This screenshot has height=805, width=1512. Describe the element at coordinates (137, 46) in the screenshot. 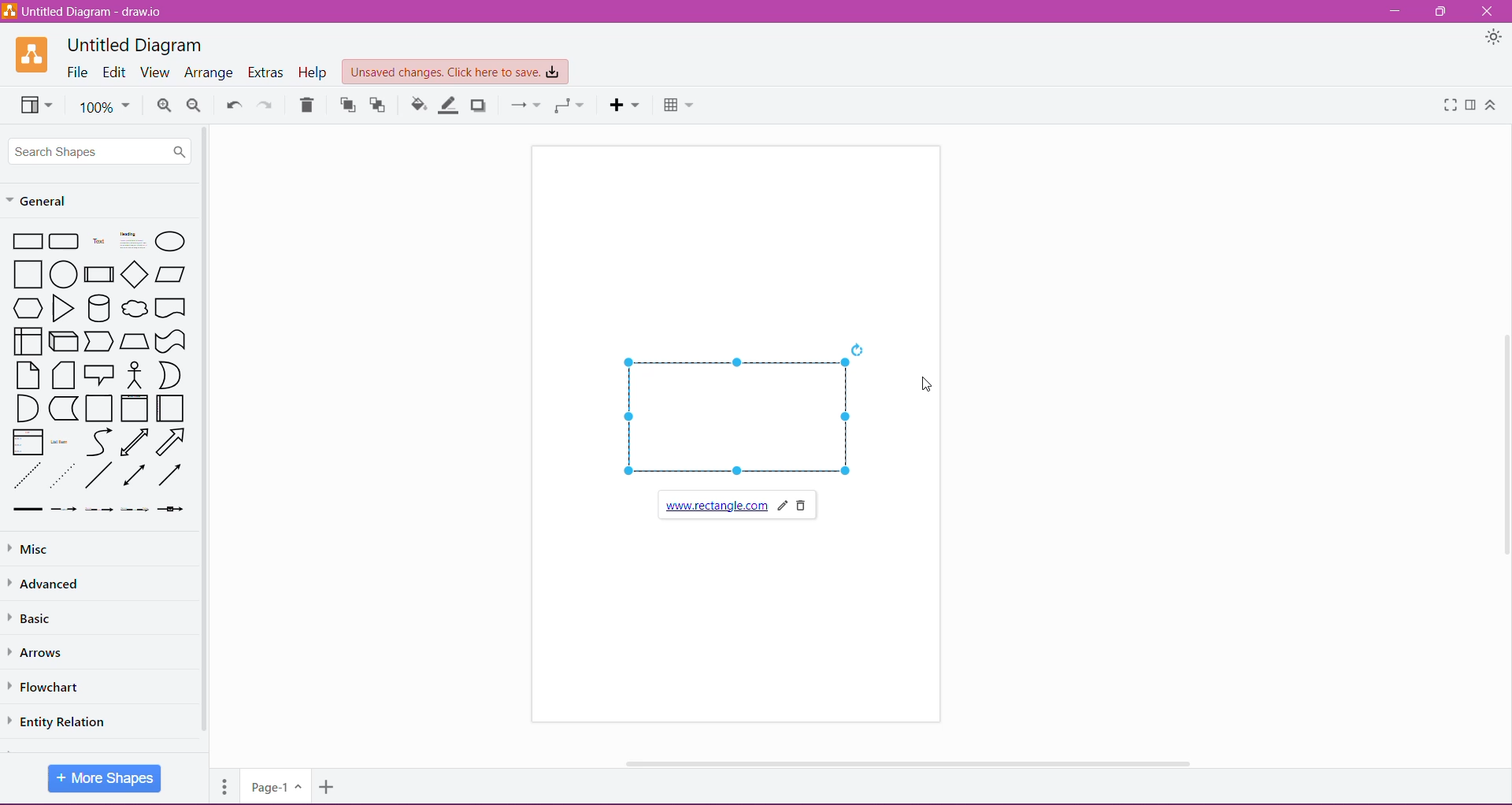

I see `Untitled Diagram` at that location.